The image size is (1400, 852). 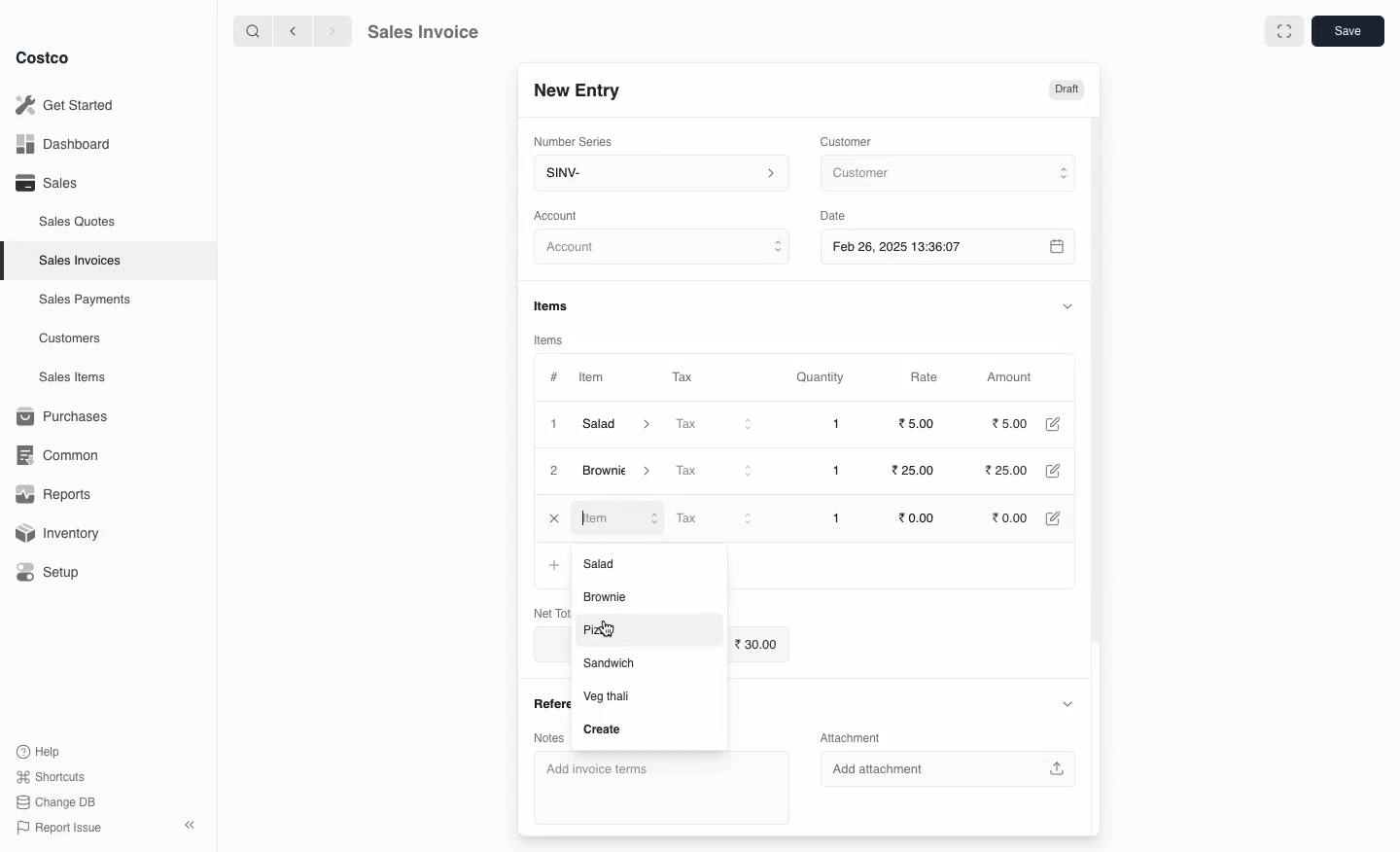 I want to click on Back, so click(x=291, y=31).